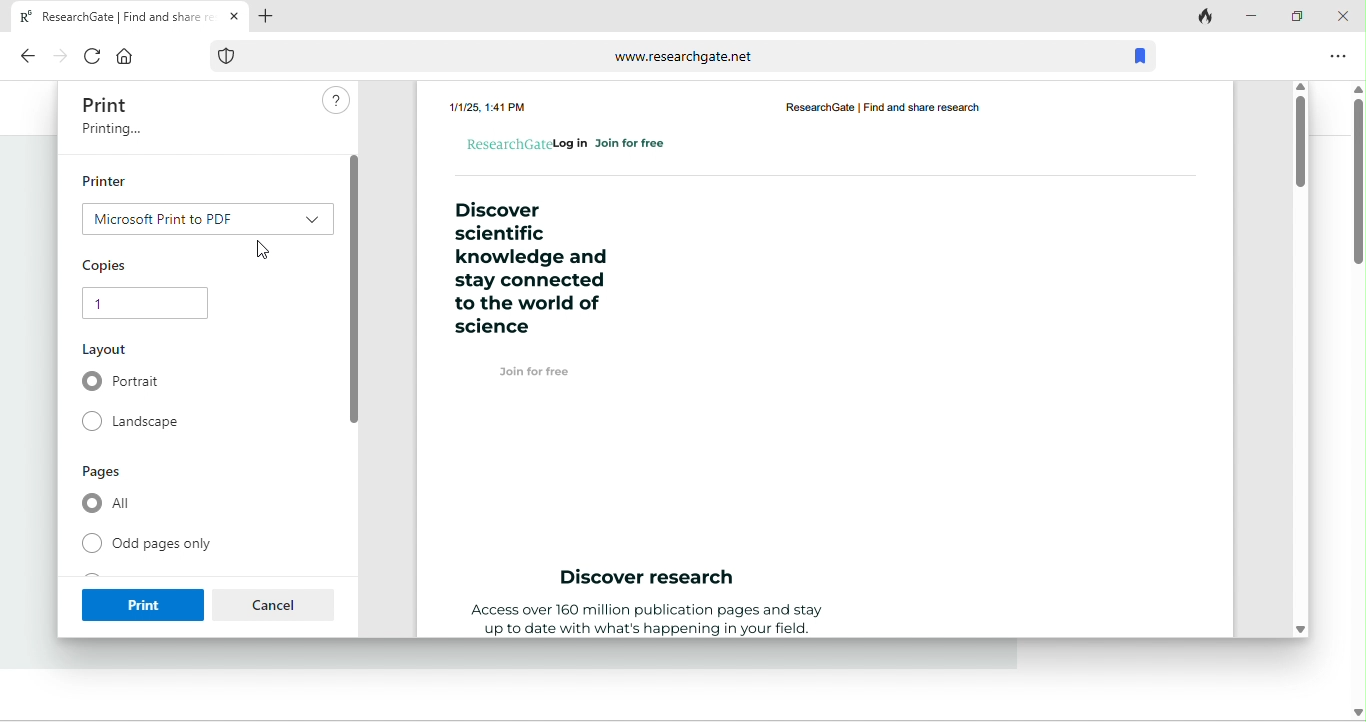  Describe the element at coordinates (1303, 626) in the screenshot. I see `down` at that location.